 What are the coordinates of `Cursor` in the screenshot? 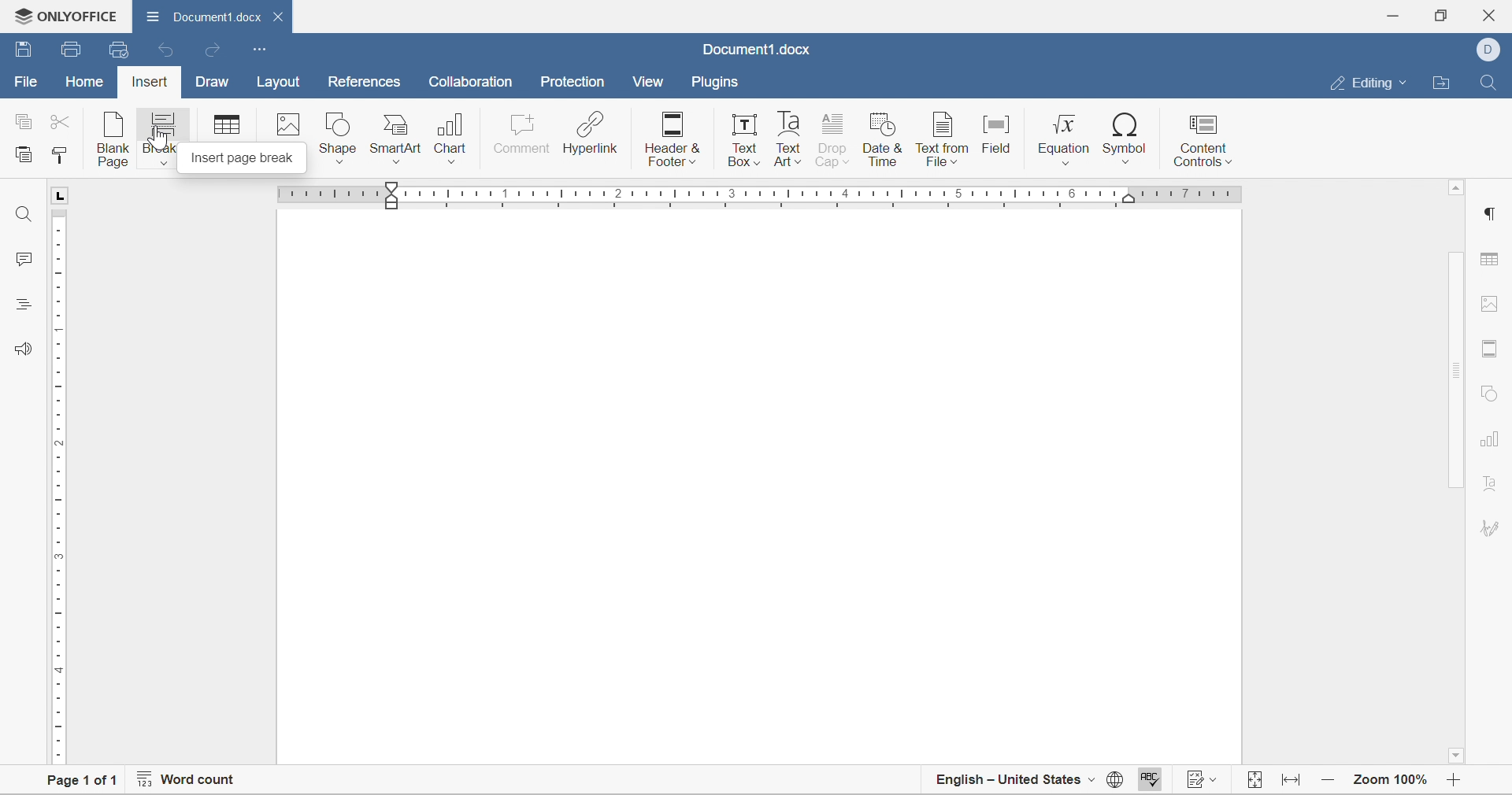 It's located at (161, 138).